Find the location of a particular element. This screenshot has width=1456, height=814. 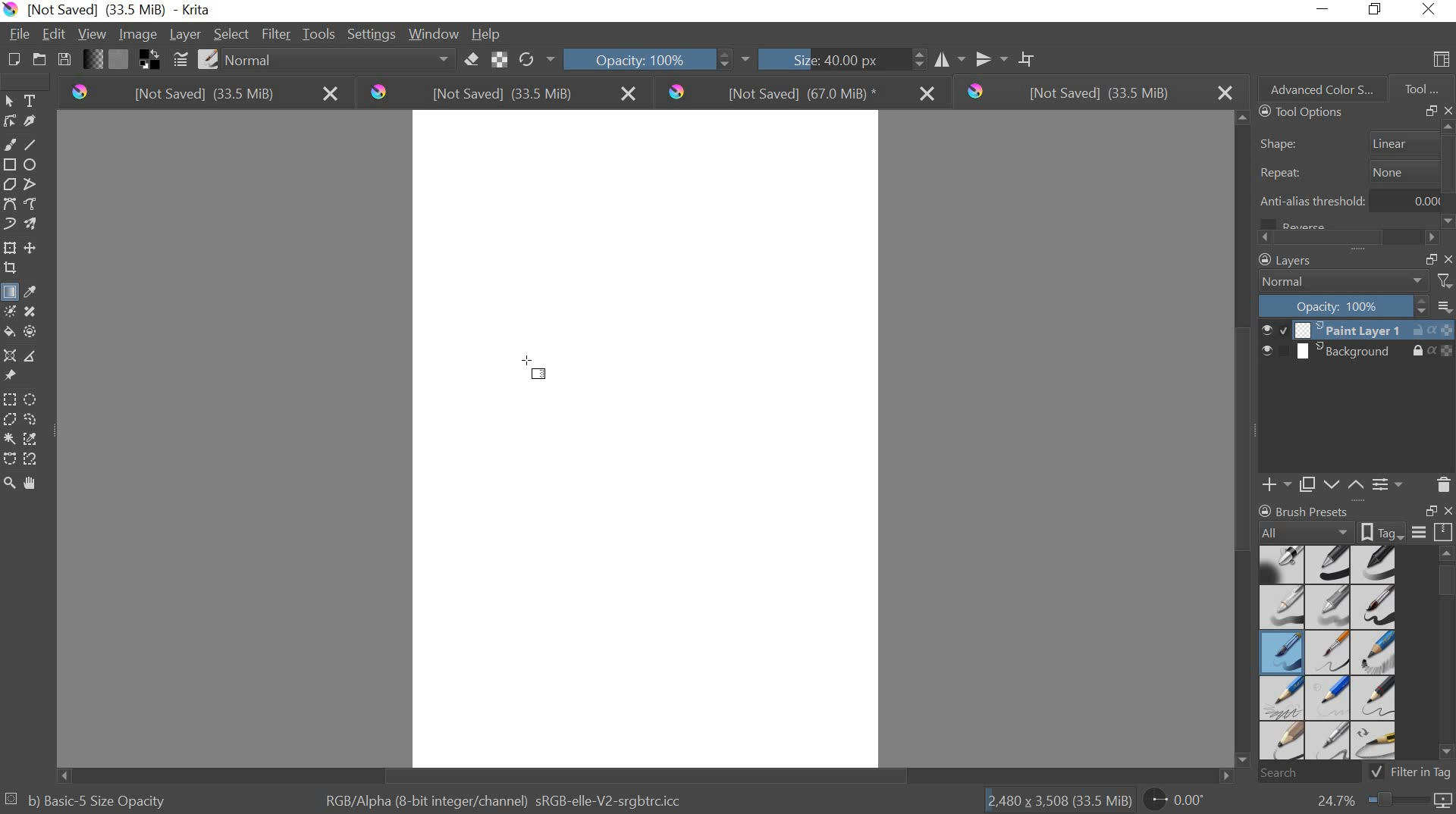

enclose and fill is located at coordinates (33, 331).